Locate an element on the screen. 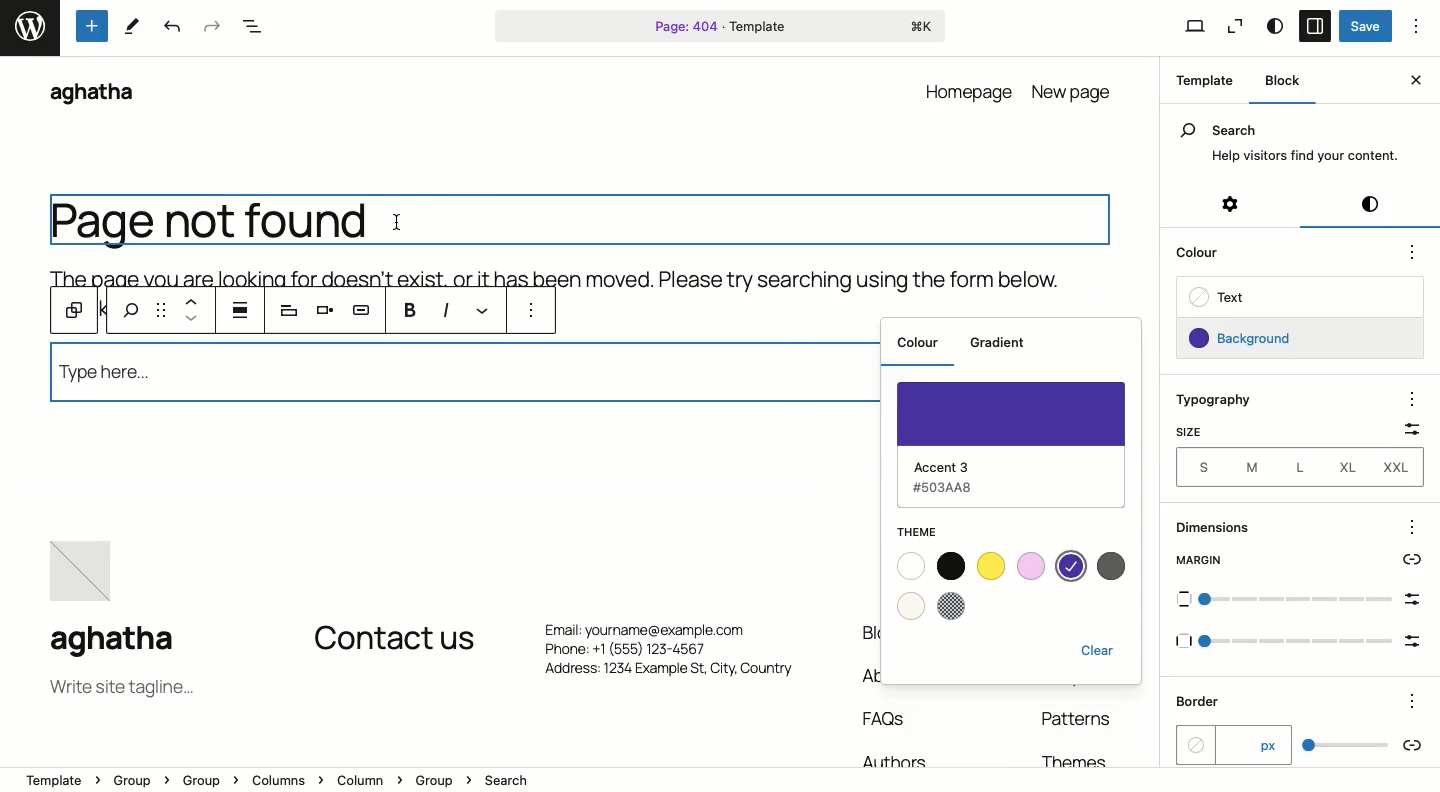   is located at coordinates (550, 279).